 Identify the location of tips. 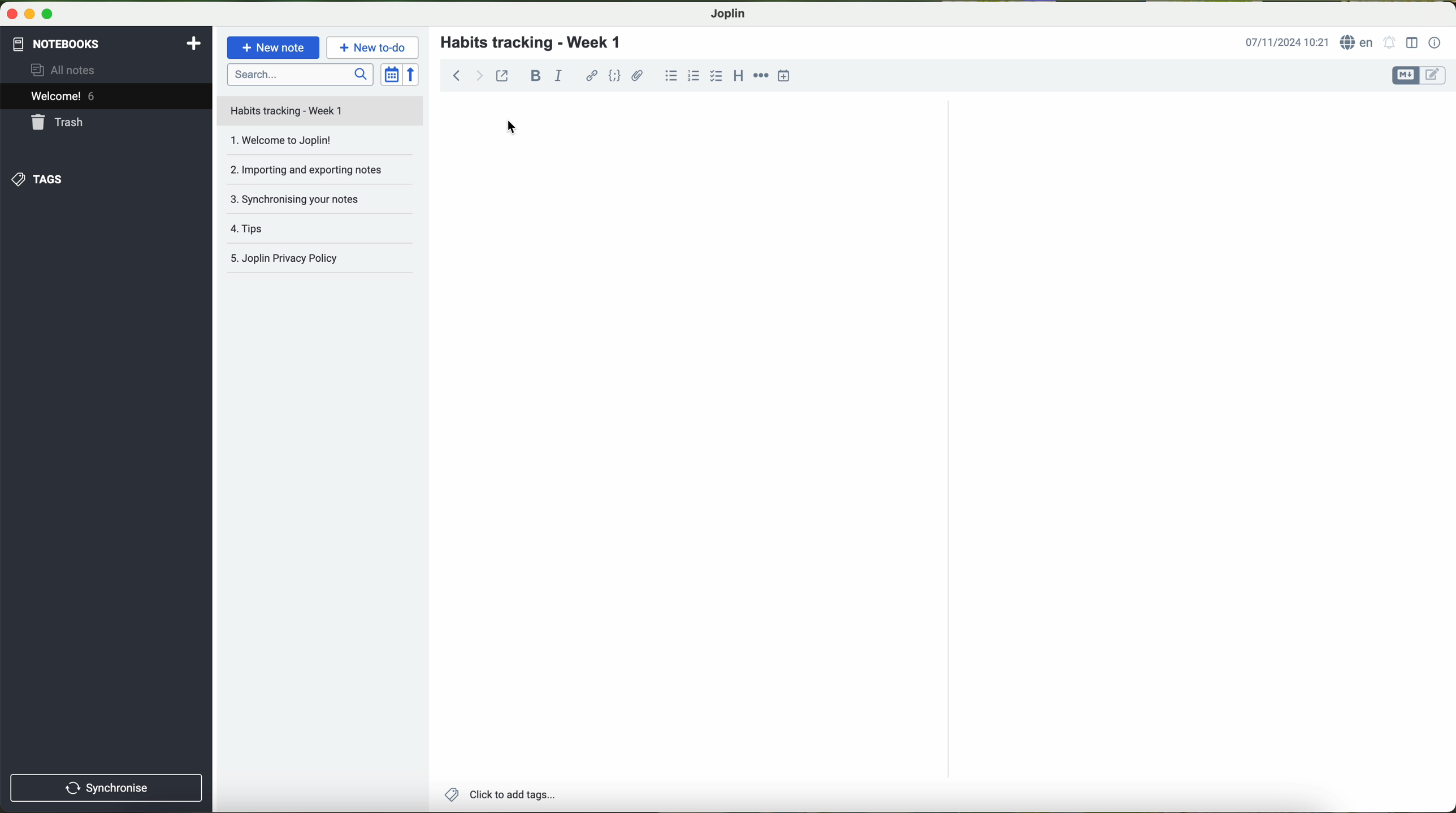
(322, 231).